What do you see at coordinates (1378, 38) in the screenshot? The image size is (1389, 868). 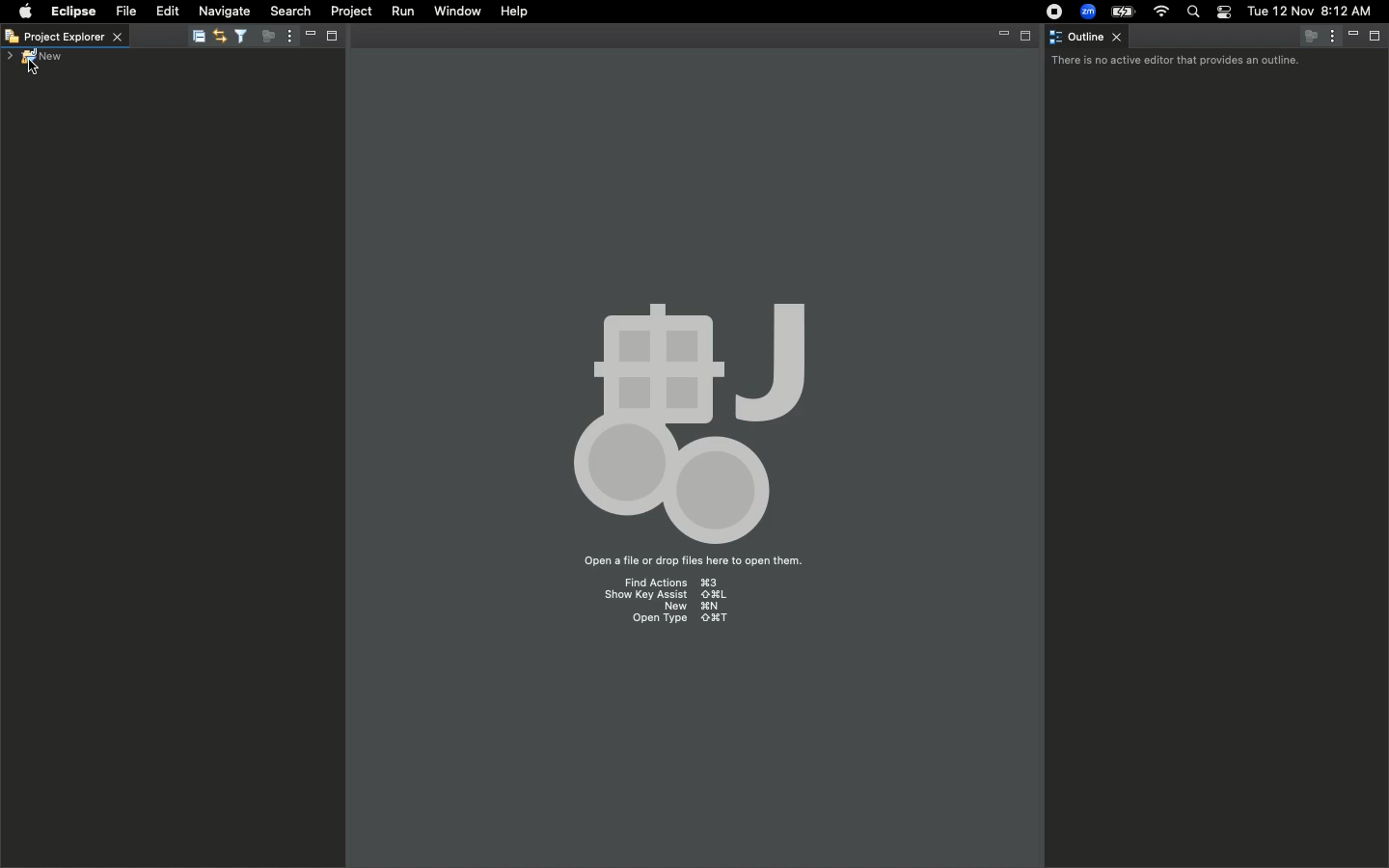 I see `Maximize` at bounding box center [1378, 38].